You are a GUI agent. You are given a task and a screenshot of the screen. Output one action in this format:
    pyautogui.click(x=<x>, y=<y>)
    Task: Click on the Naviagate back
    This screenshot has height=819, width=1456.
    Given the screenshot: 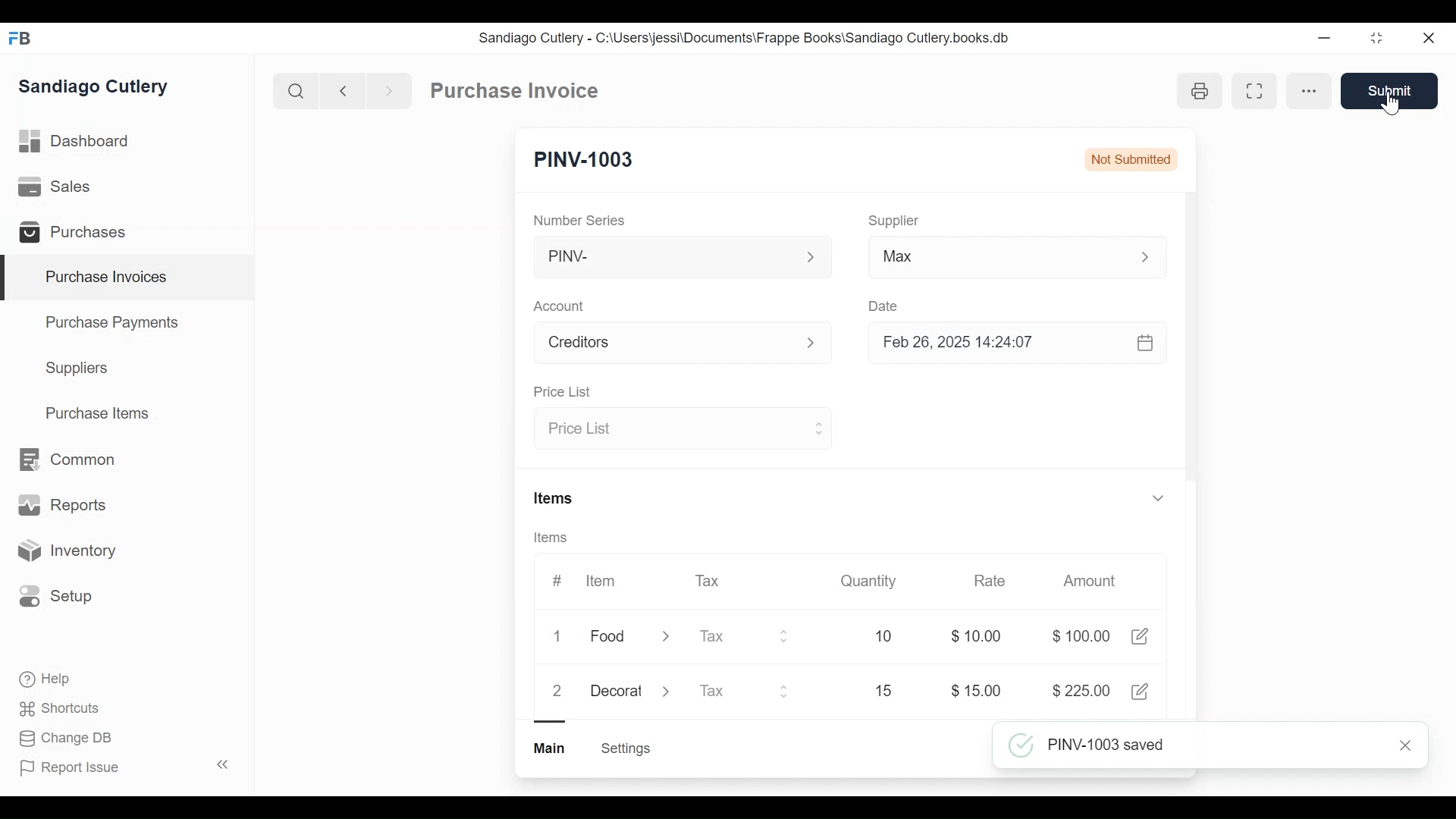 What is the action you would take?
    pyautogui.click(x=344, y=89)
    